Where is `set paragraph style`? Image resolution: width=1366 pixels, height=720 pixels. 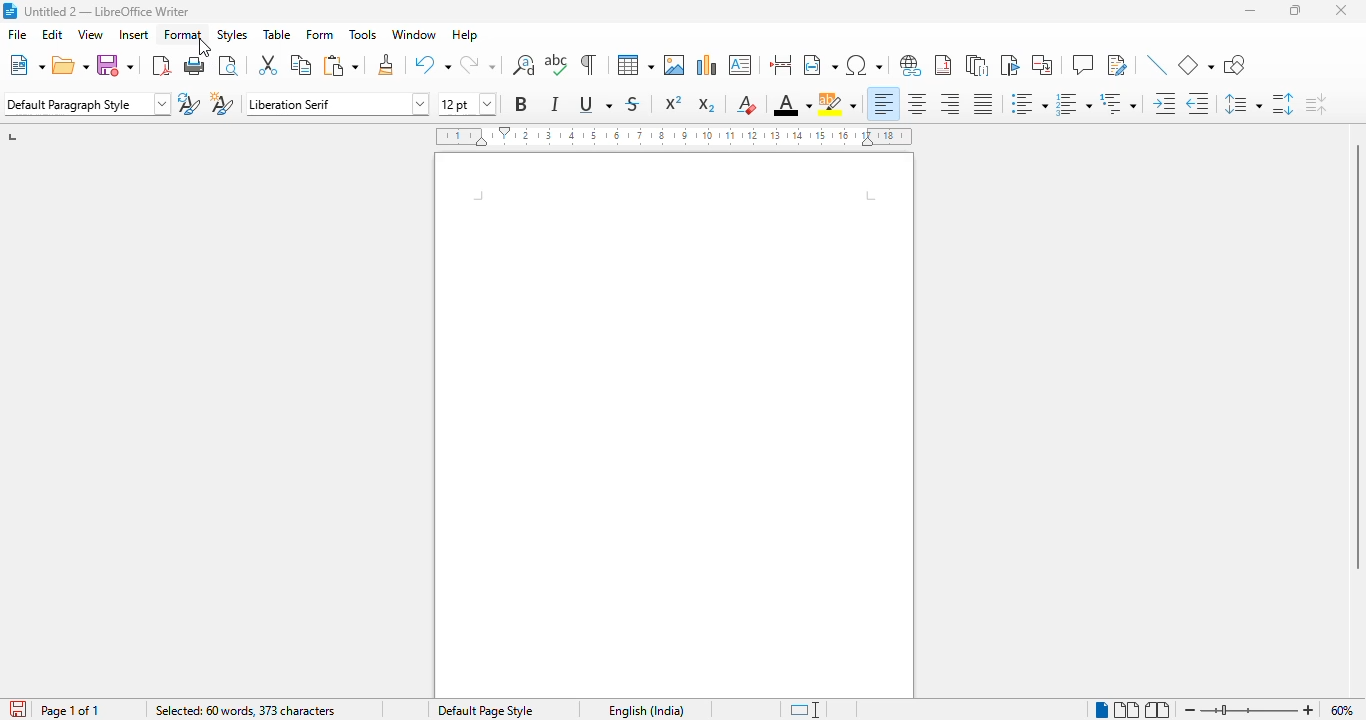 set paragraph style is located at coordinates (87, 104).